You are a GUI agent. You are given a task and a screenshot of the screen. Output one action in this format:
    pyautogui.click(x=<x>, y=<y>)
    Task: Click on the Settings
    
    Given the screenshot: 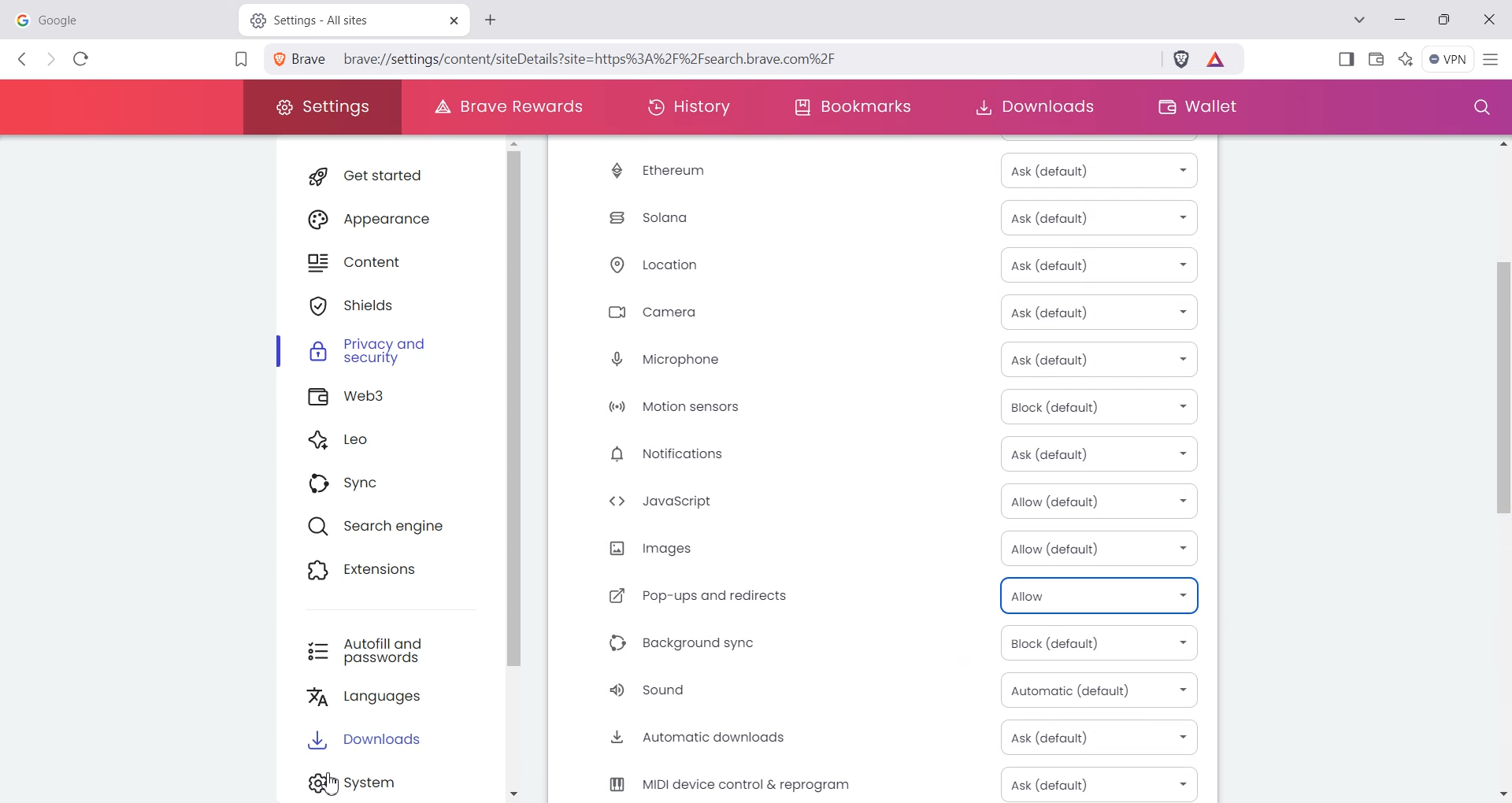 What is the action you would take?
    pyautogui.click(x=396, y=783)
    